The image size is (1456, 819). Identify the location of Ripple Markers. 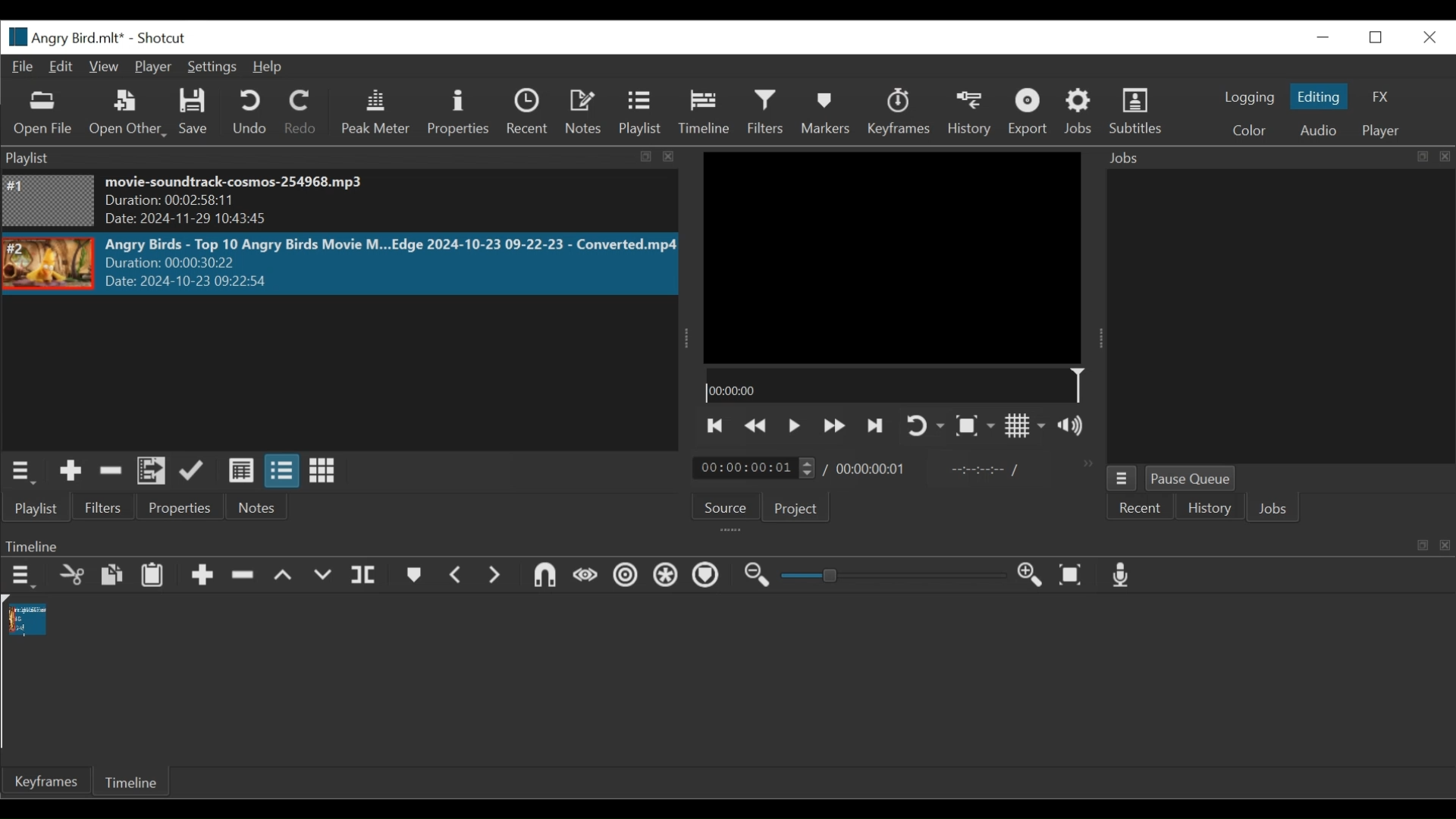
(706, 578).